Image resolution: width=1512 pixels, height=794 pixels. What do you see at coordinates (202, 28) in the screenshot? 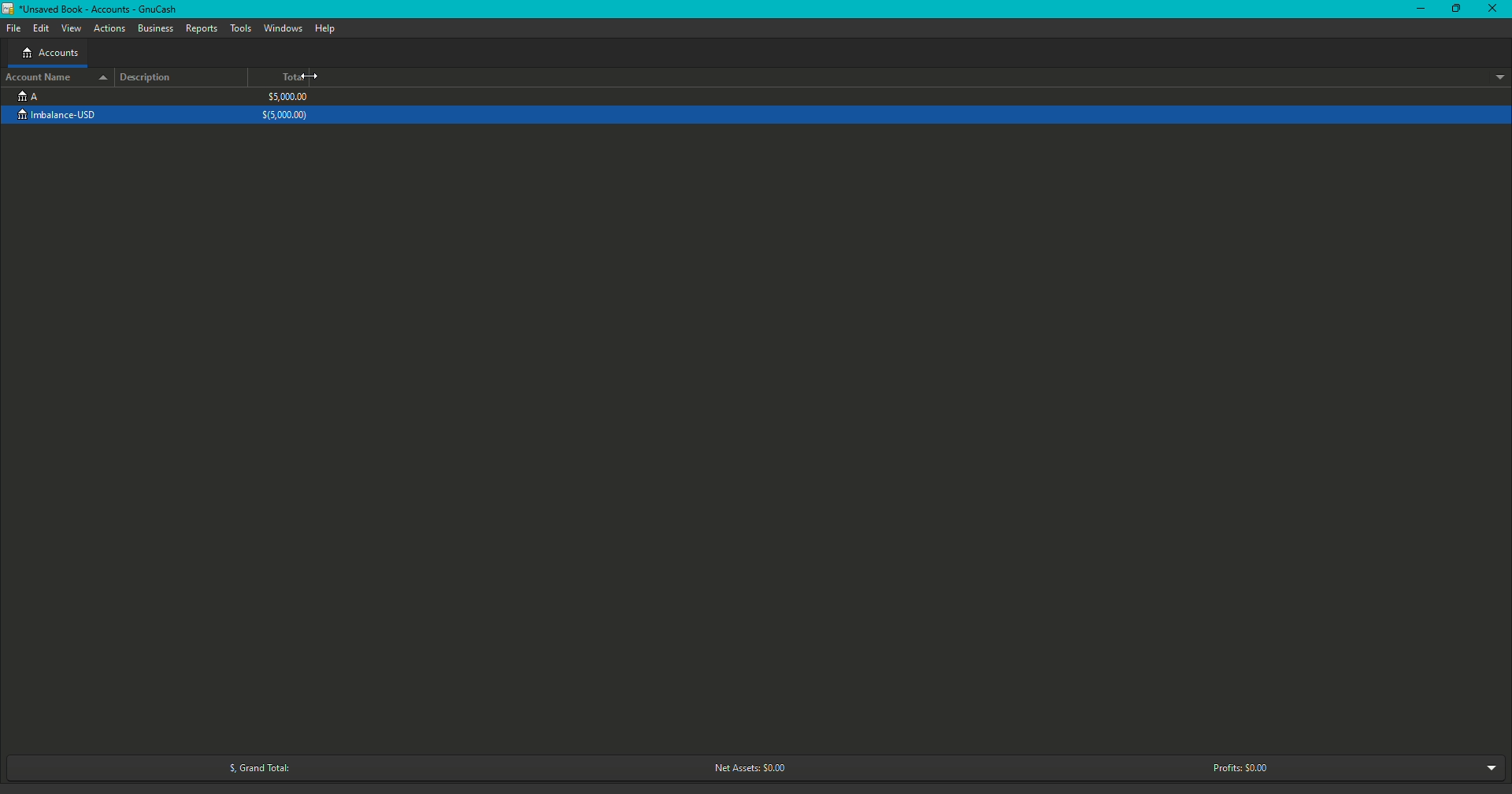
I see `Reports` at bounding box center [202, 28].